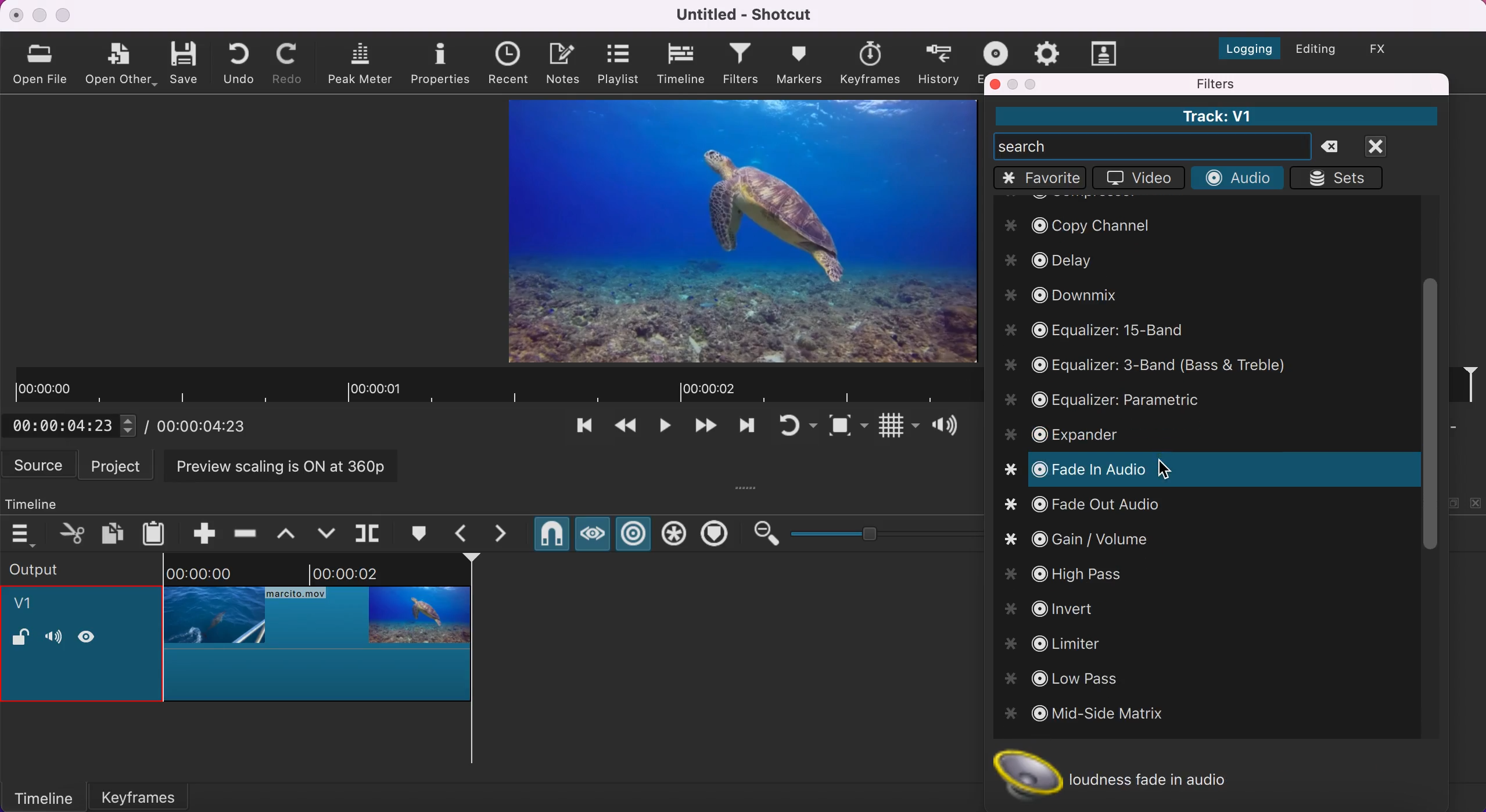  I want to click on toggle play or pause, so click(665, 429).